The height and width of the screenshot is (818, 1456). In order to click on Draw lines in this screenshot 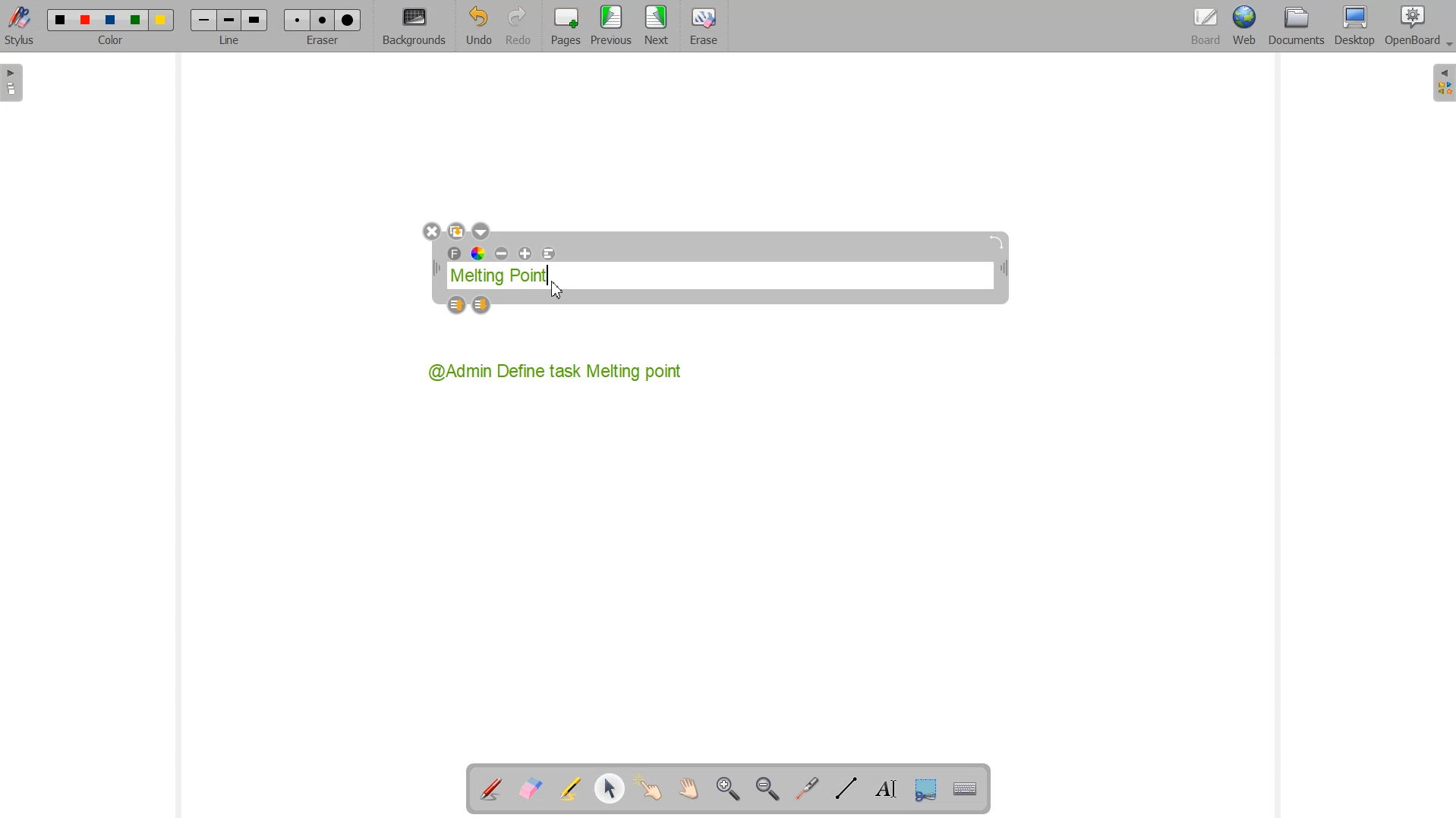, I will do `click(846, 788)`.